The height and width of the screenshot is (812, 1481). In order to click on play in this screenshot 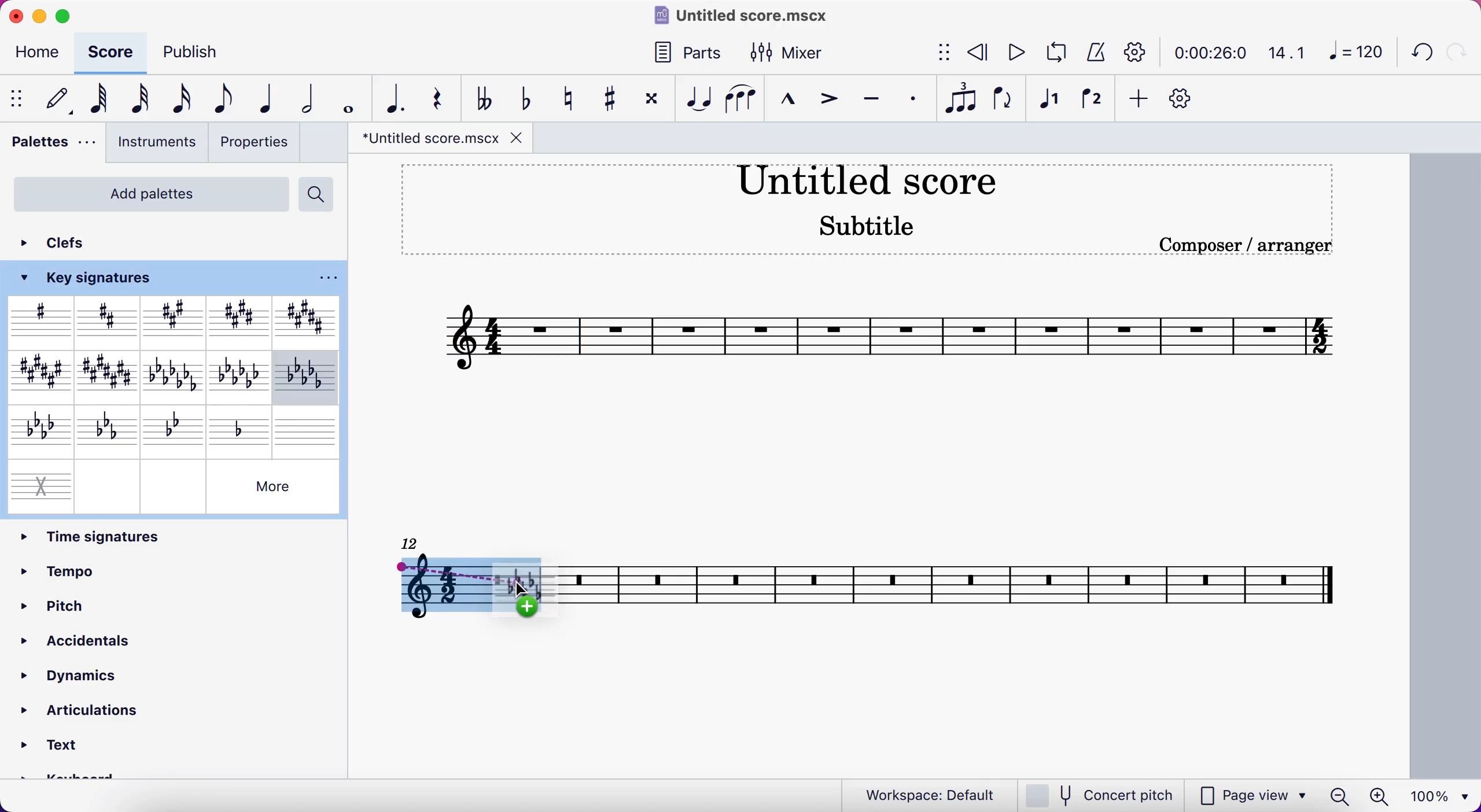, I will do `click(1012, 51)`.